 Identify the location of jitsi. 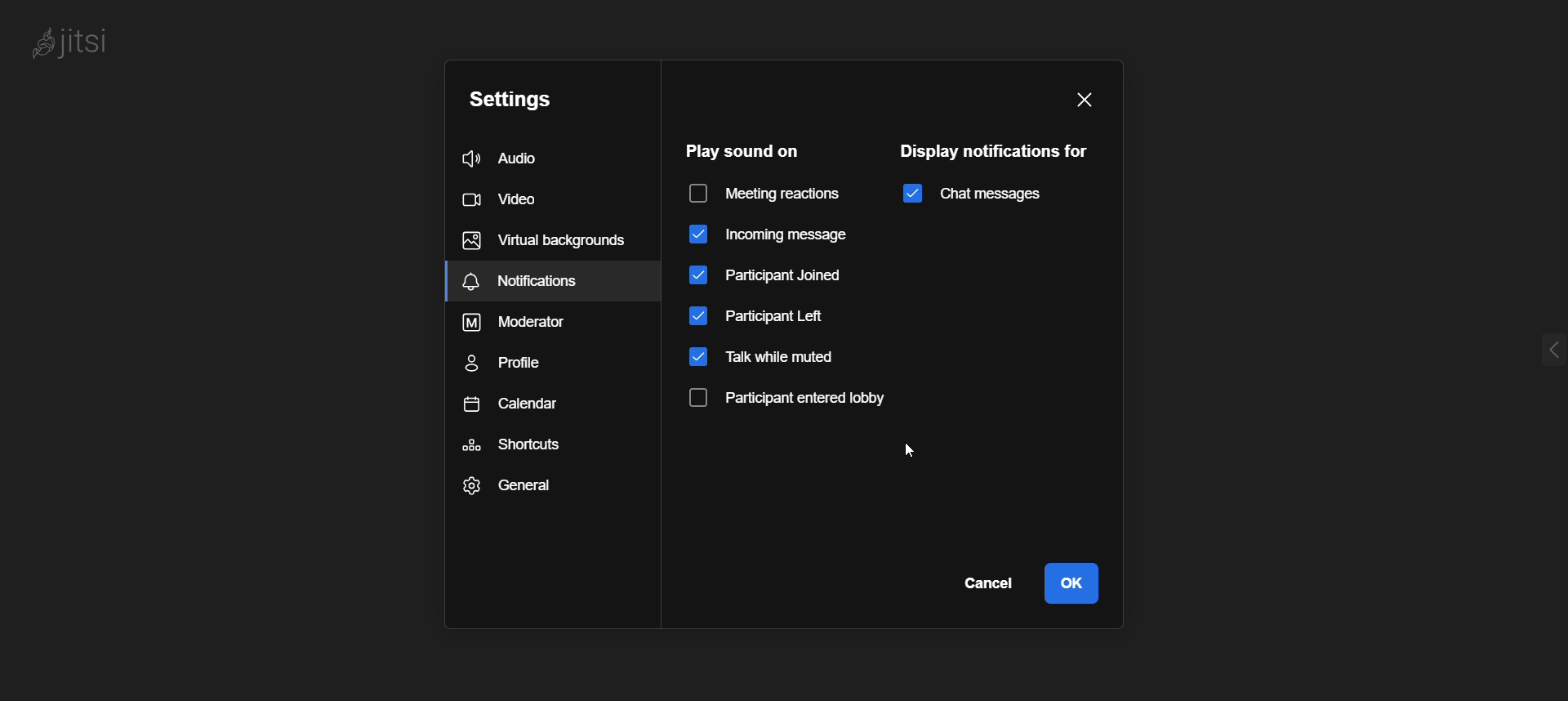
(73, 42).